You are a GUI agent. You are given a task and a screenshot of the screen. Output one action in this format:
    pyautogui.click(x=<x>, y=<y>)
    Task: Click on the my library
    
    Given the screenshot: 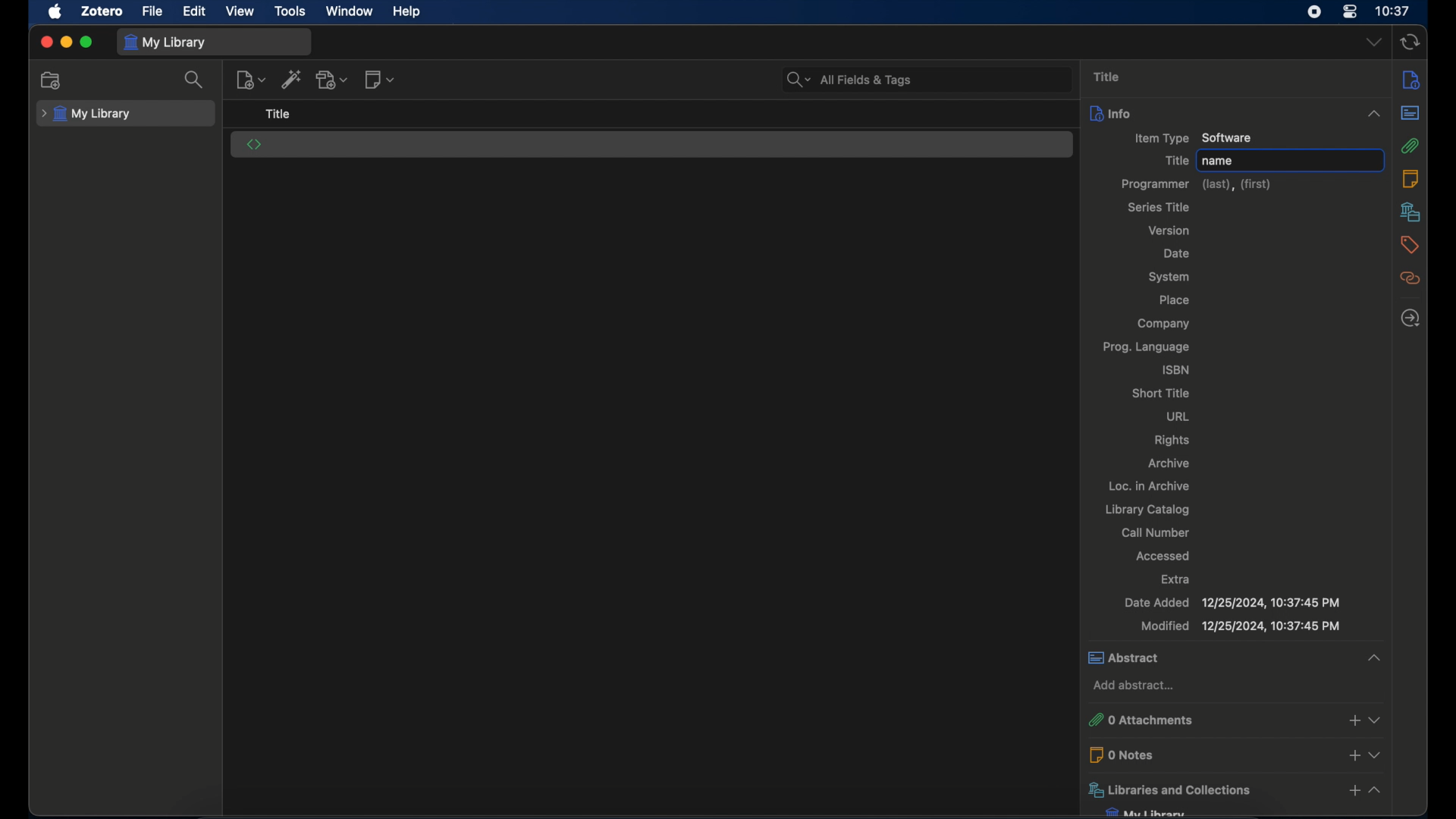 What is the action you would take?
    pyautogui.click(x=86, y=114)
    